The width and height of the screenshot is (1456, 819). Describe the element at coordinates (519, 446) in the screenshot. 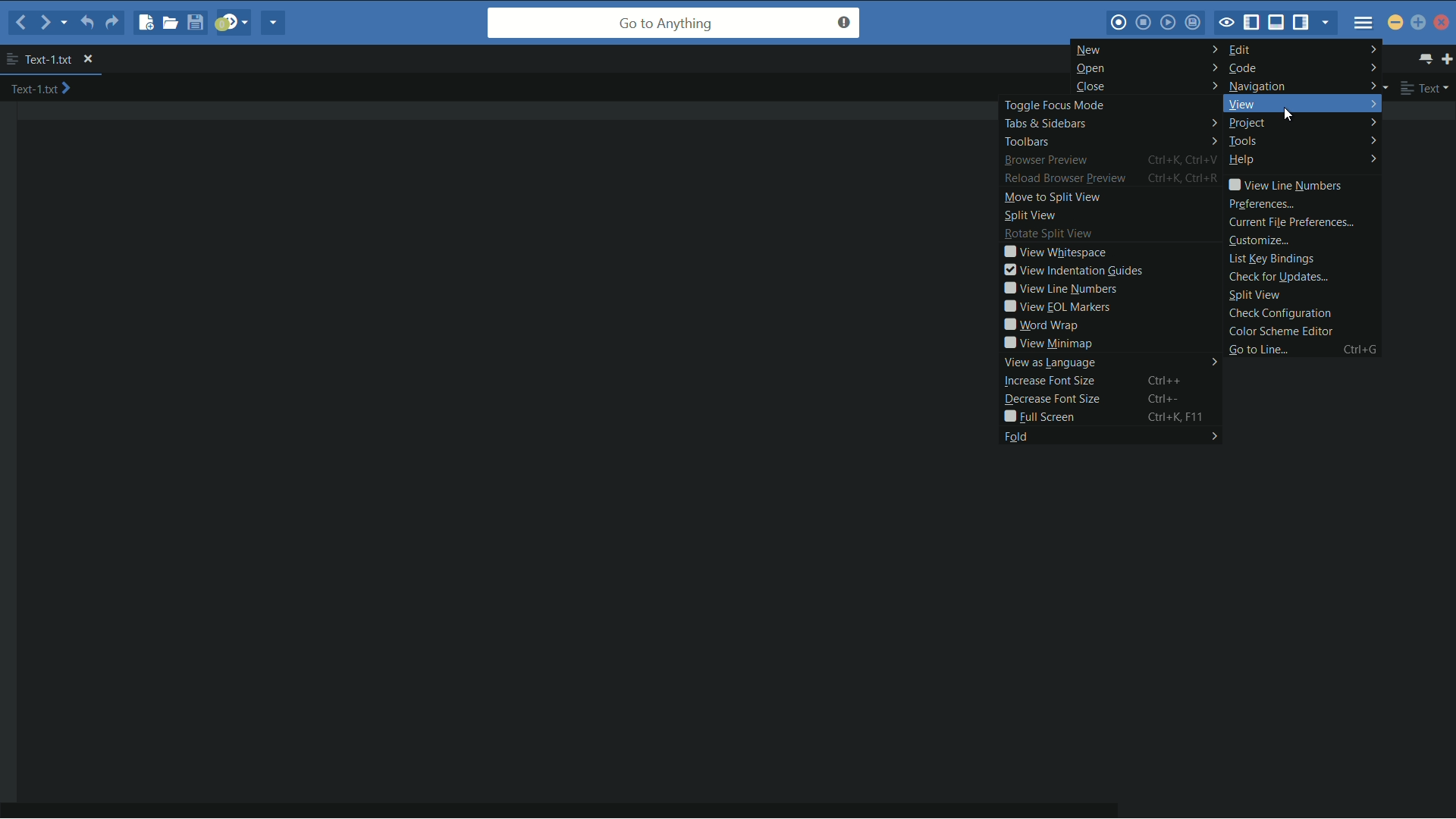

I see `work space` at that location.